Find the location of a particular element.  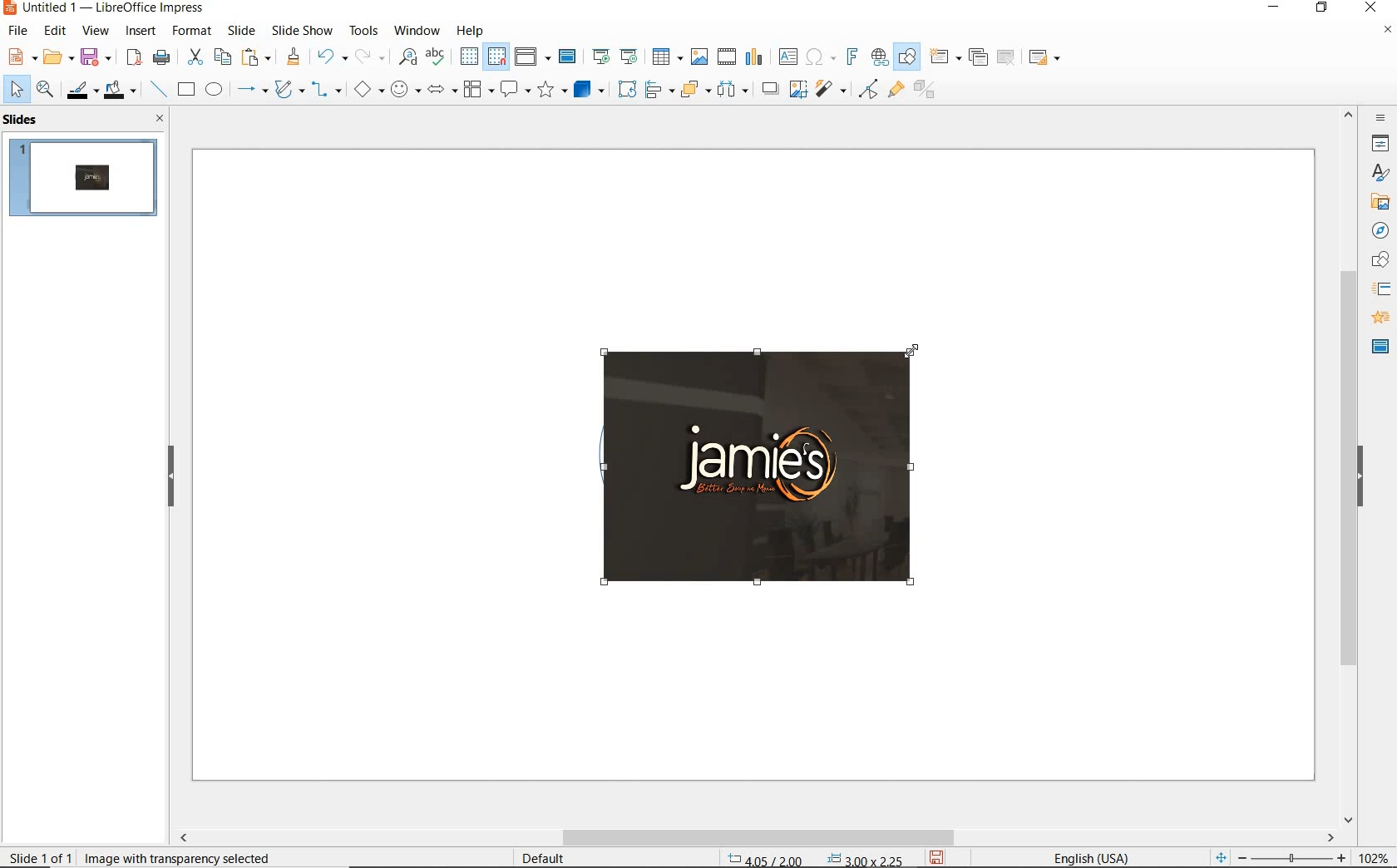

sidebar settings is located at coordinates (1379, 118).